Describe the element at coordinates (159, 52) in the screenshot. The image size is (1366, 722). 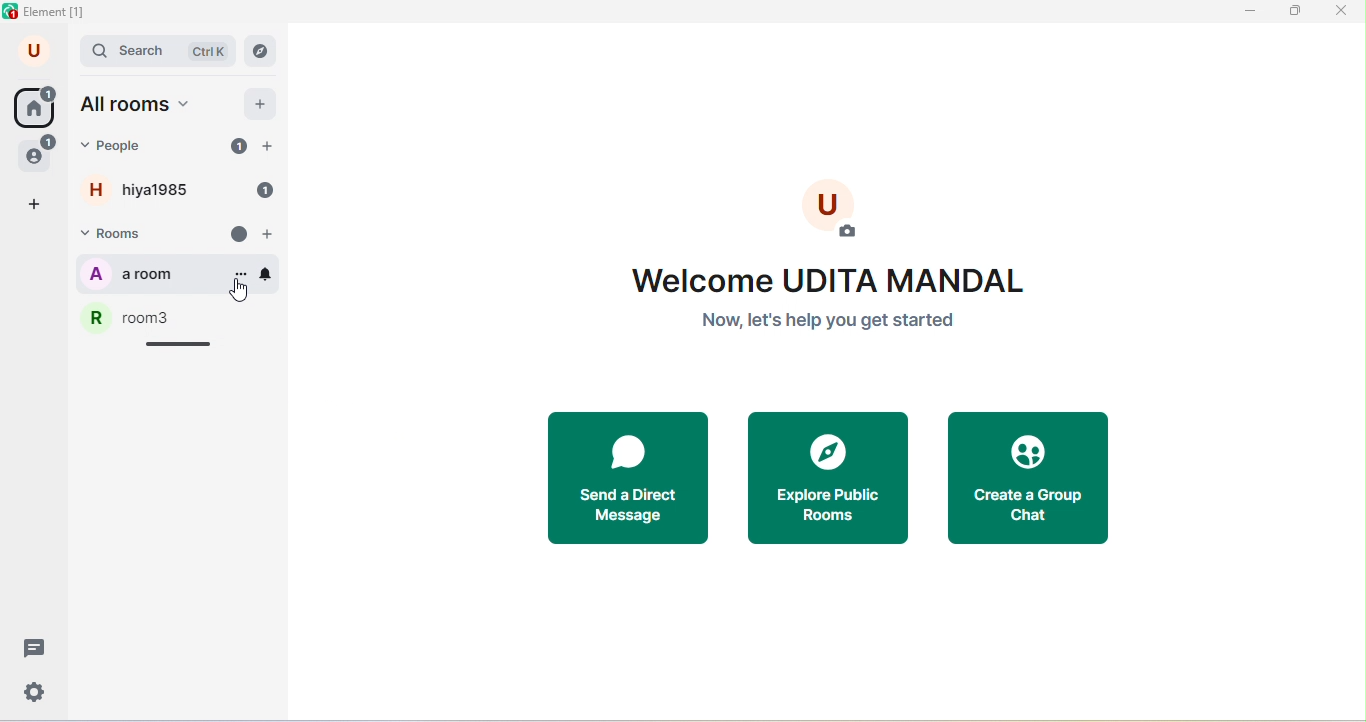
I see `search bar` at that location.